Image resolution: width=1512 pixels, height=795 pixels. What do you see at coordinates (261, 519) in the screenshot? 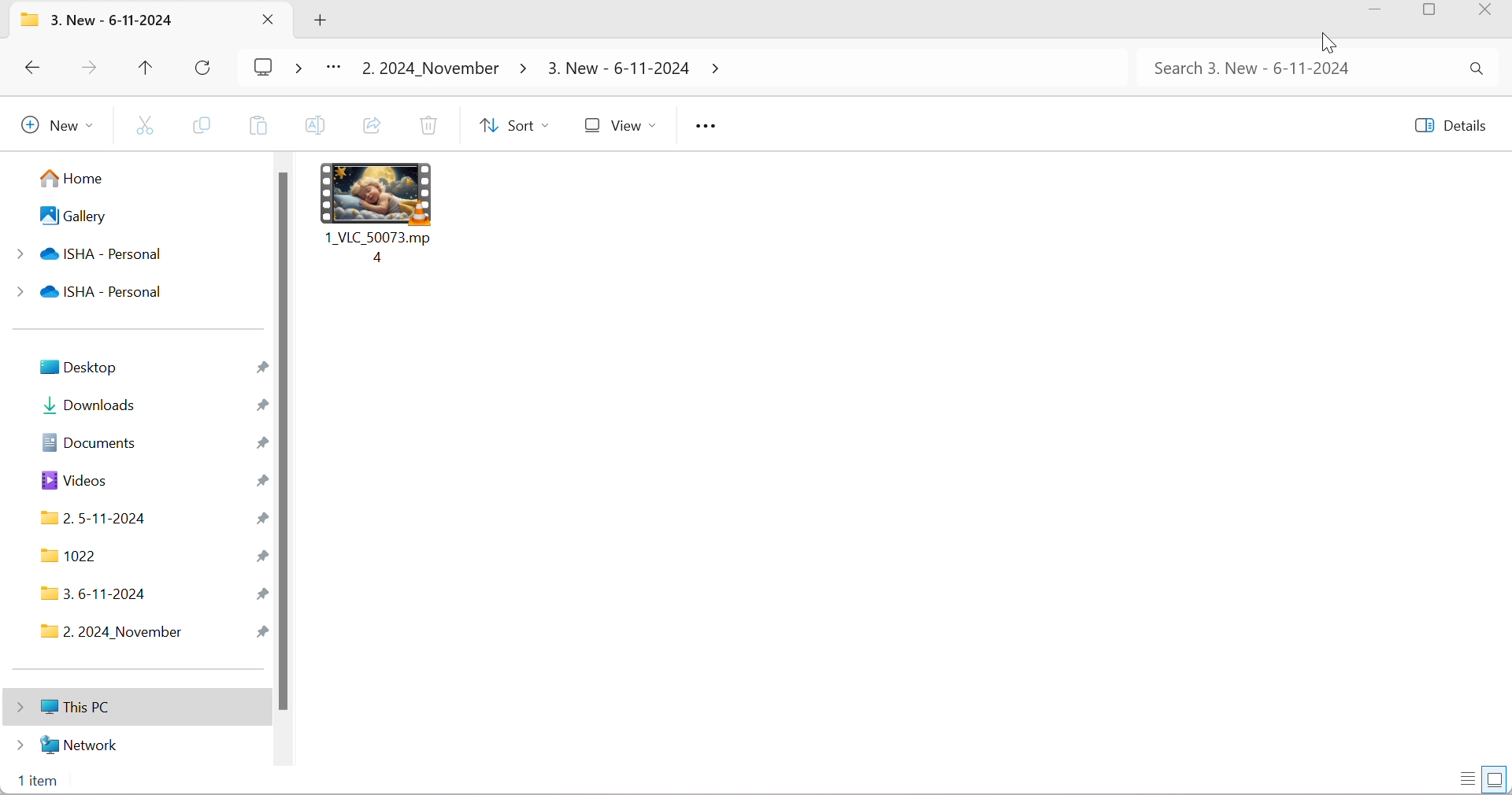
I see `Pin` at bounding box center [261, 519].